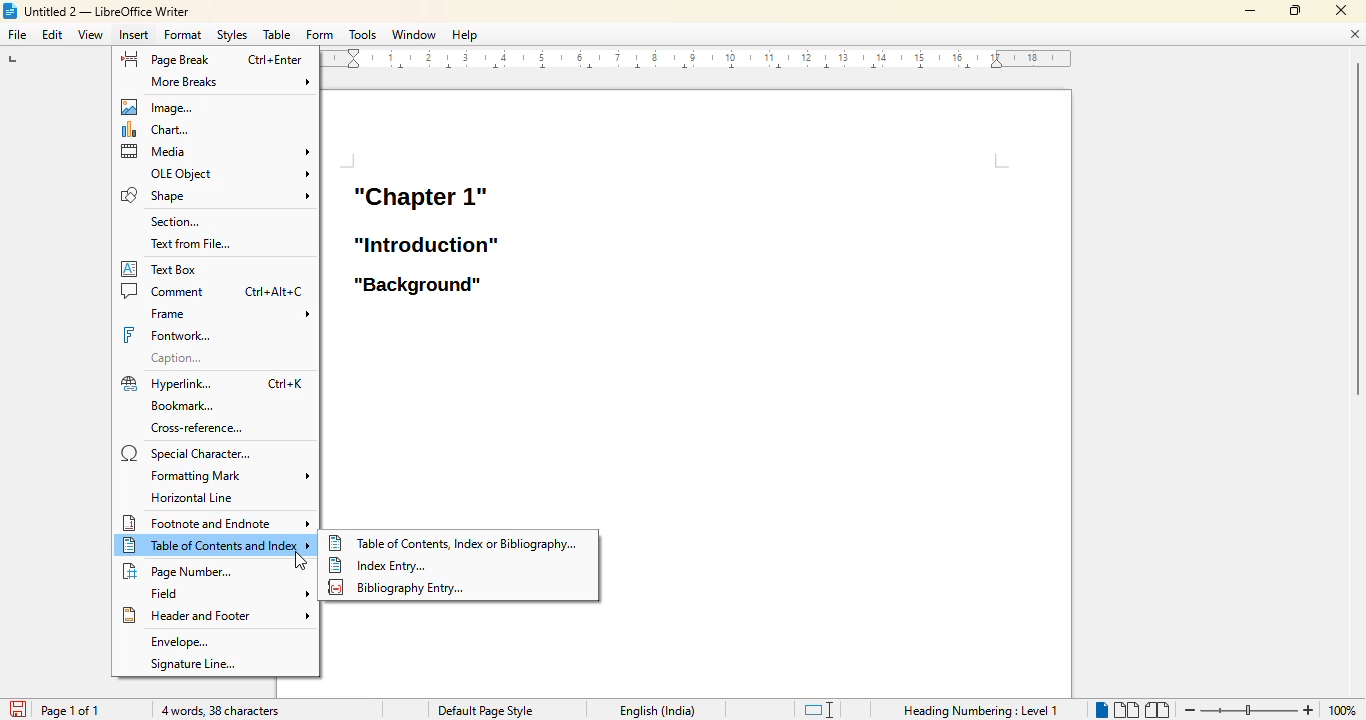  What do you see at coordinates (484, 711) in the screenshot?
I see `page style` at bounding box center [484, 711].